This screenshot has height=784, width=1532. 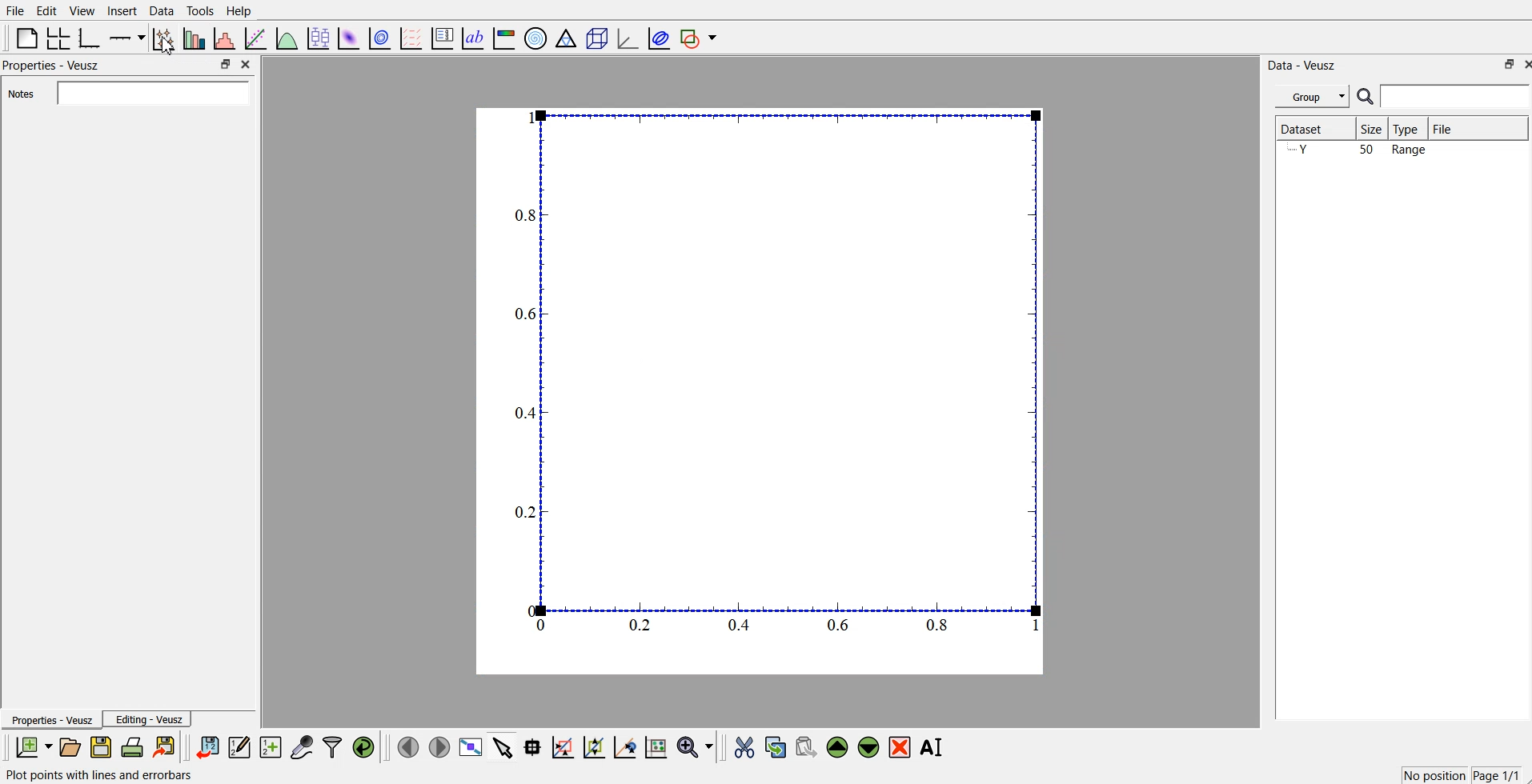 What do you see at coordinates (195, 37) in the screenshot?
I see `bar chart` at bounding box center [195, 37].